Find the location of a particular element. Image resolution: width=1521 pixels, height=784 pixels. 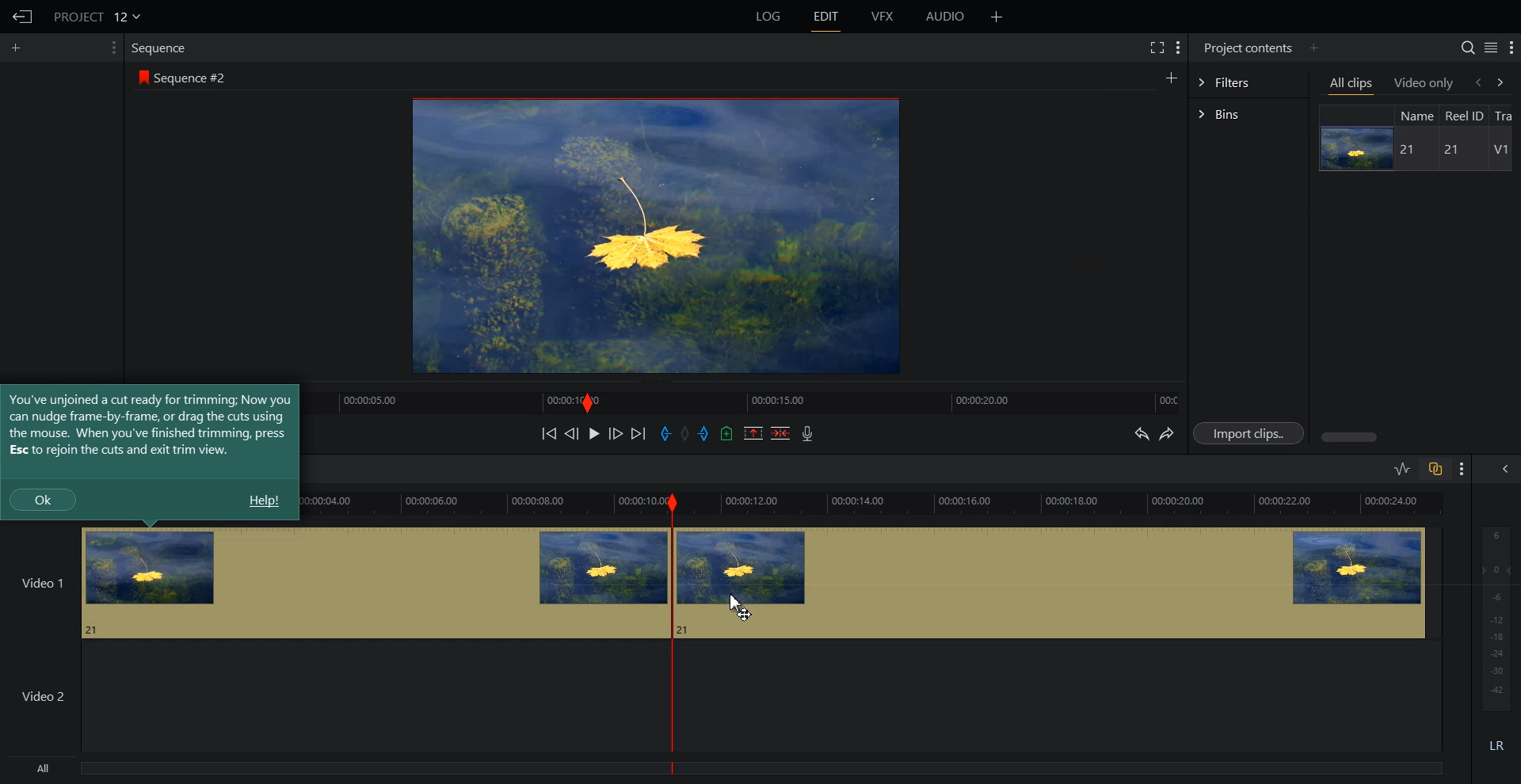

Record Audio is located at coordinates (808, 433).